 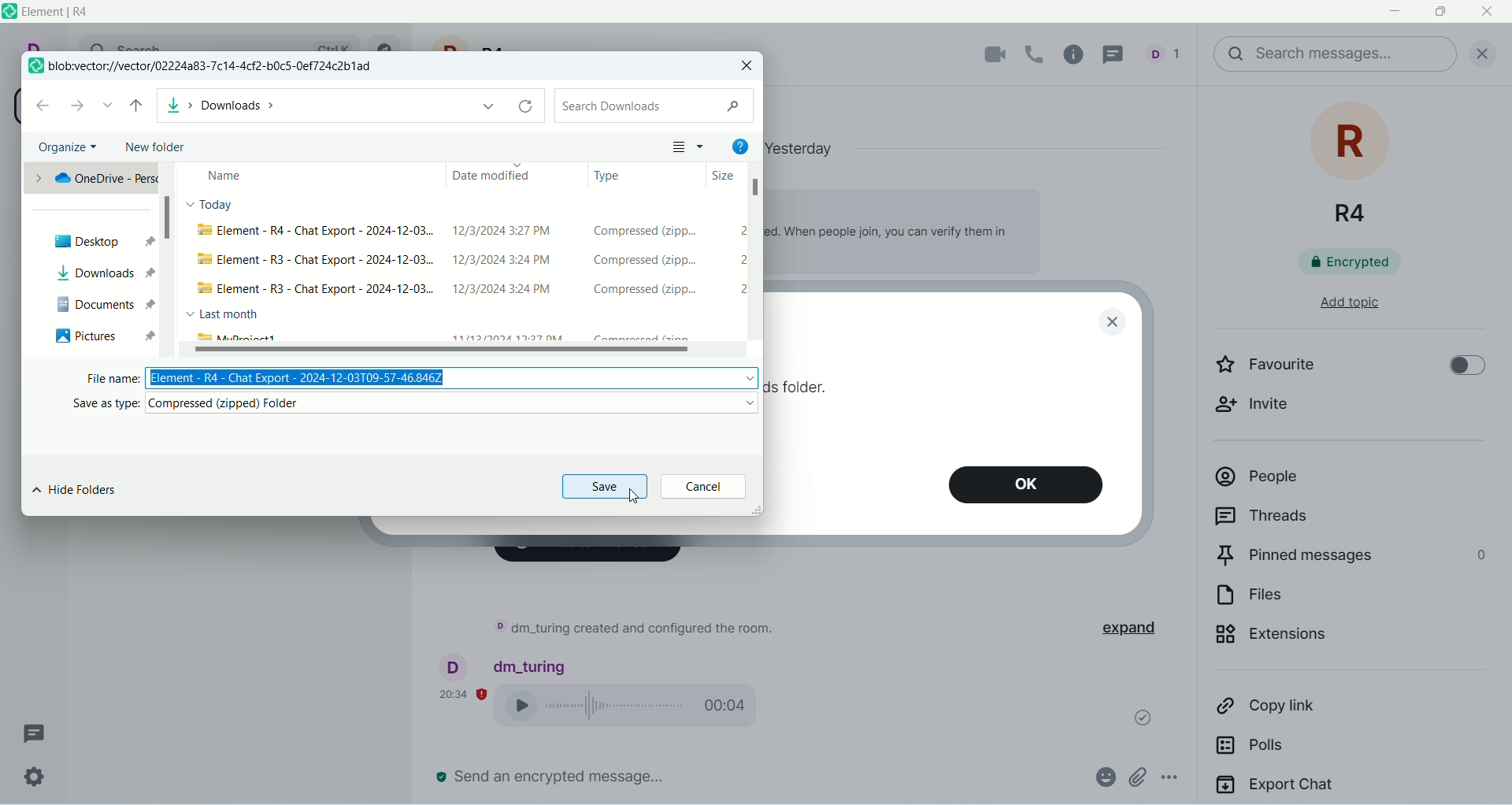 What do you see at coordinates (632, 631) in the screenshot?
I see `text` at bounding box center [632, 631].